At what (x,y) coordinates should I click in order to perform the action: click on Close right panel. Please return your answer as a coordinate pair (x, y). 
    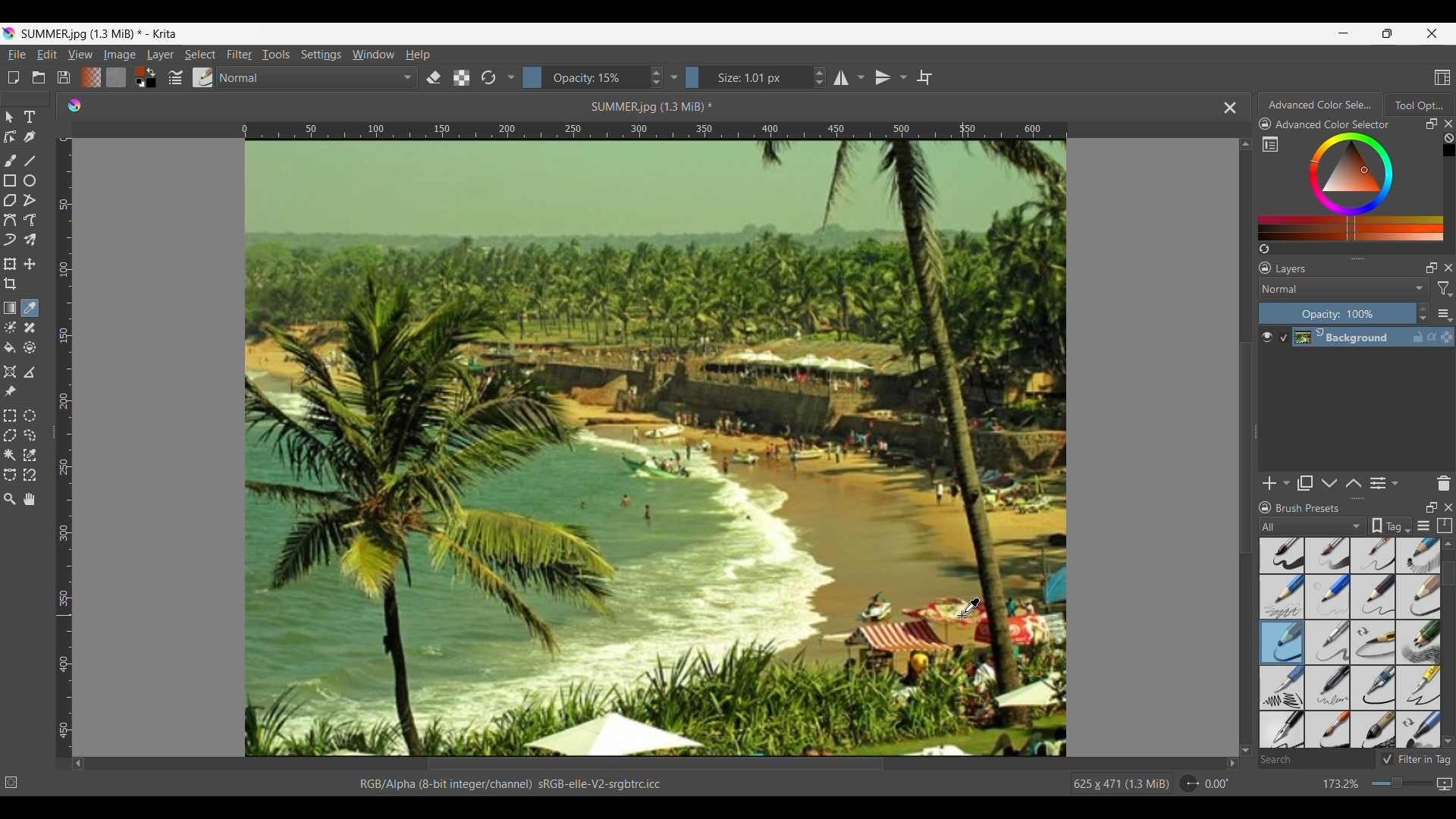
    Looking at the image, I should click on (1448, 124).